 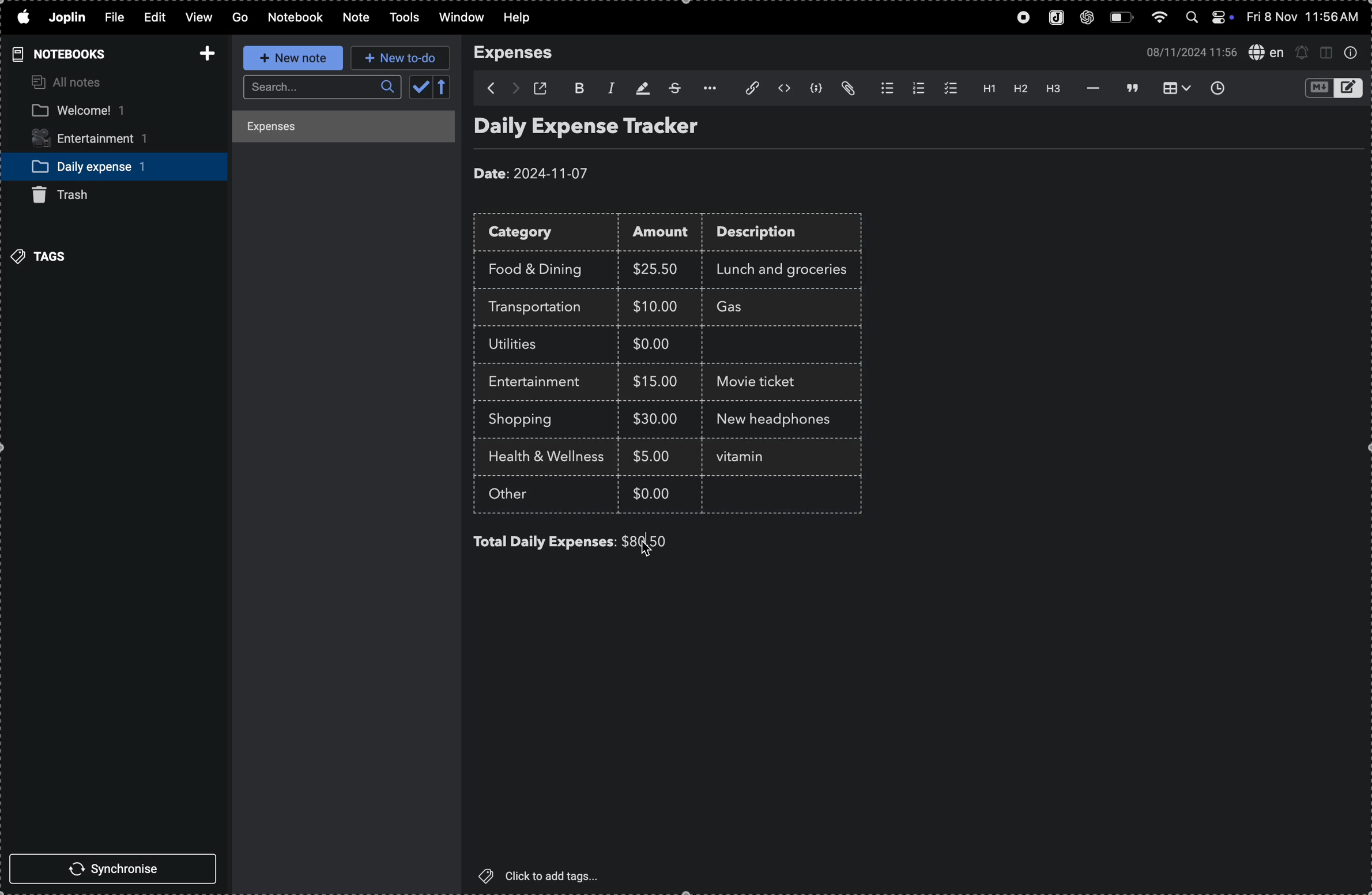 I want to click on file, so click(x=112, y=18).